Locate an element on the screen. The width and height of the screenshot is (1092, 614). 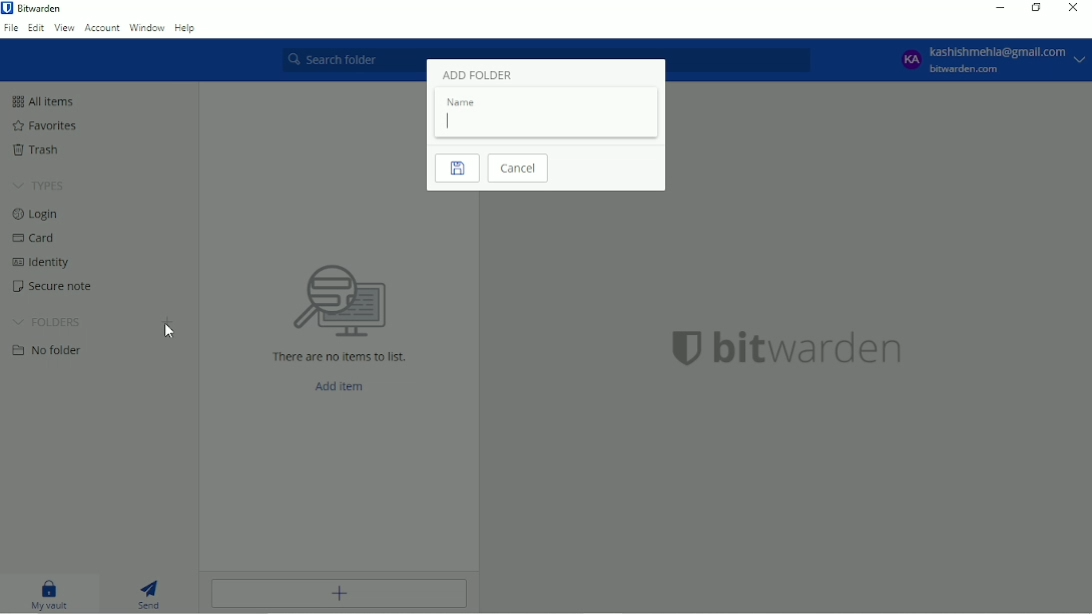
Add Item is located at coordinates (345, 386).